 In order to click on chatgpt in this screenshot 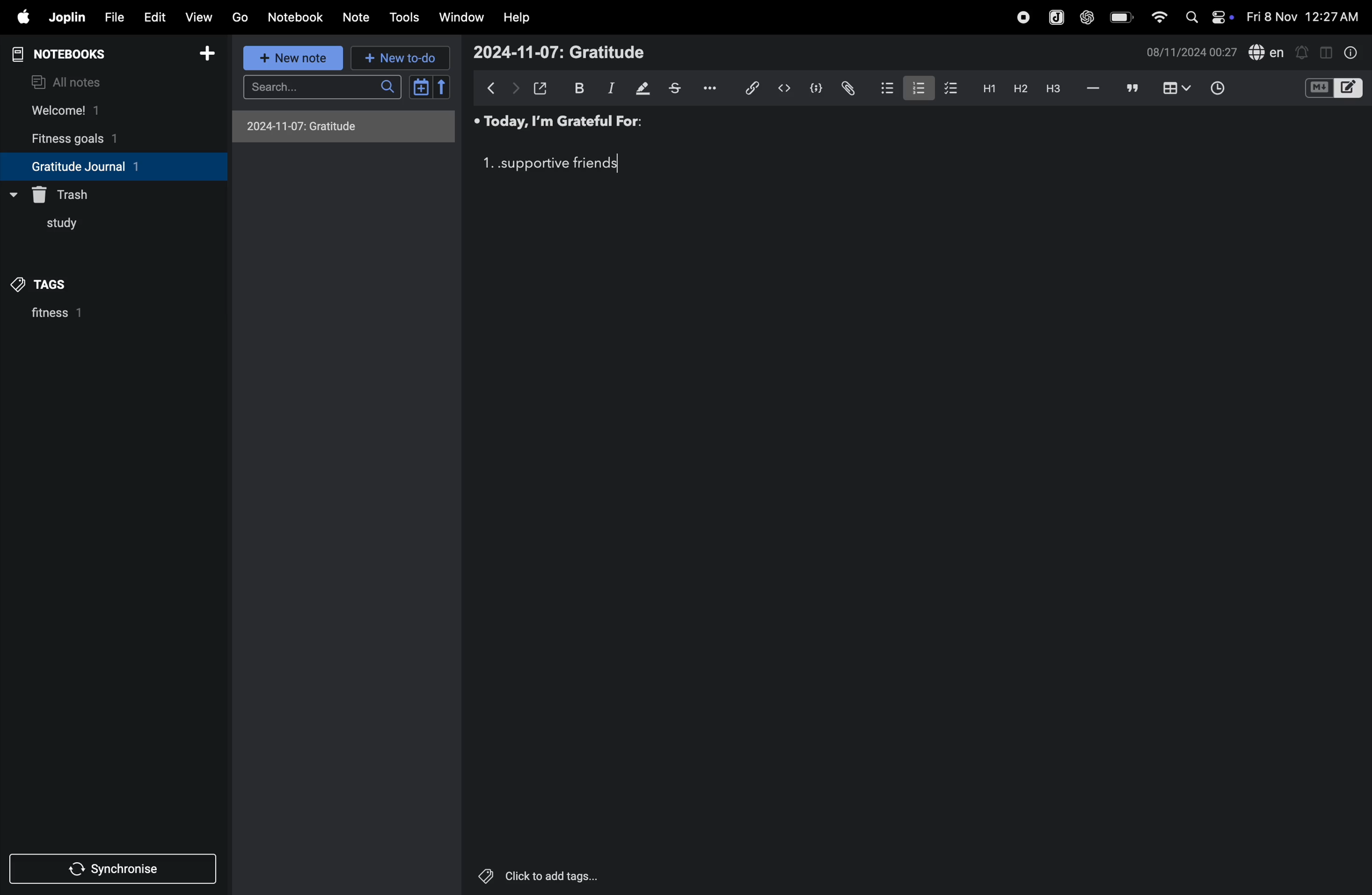, I will do `click(1086, 18)`.